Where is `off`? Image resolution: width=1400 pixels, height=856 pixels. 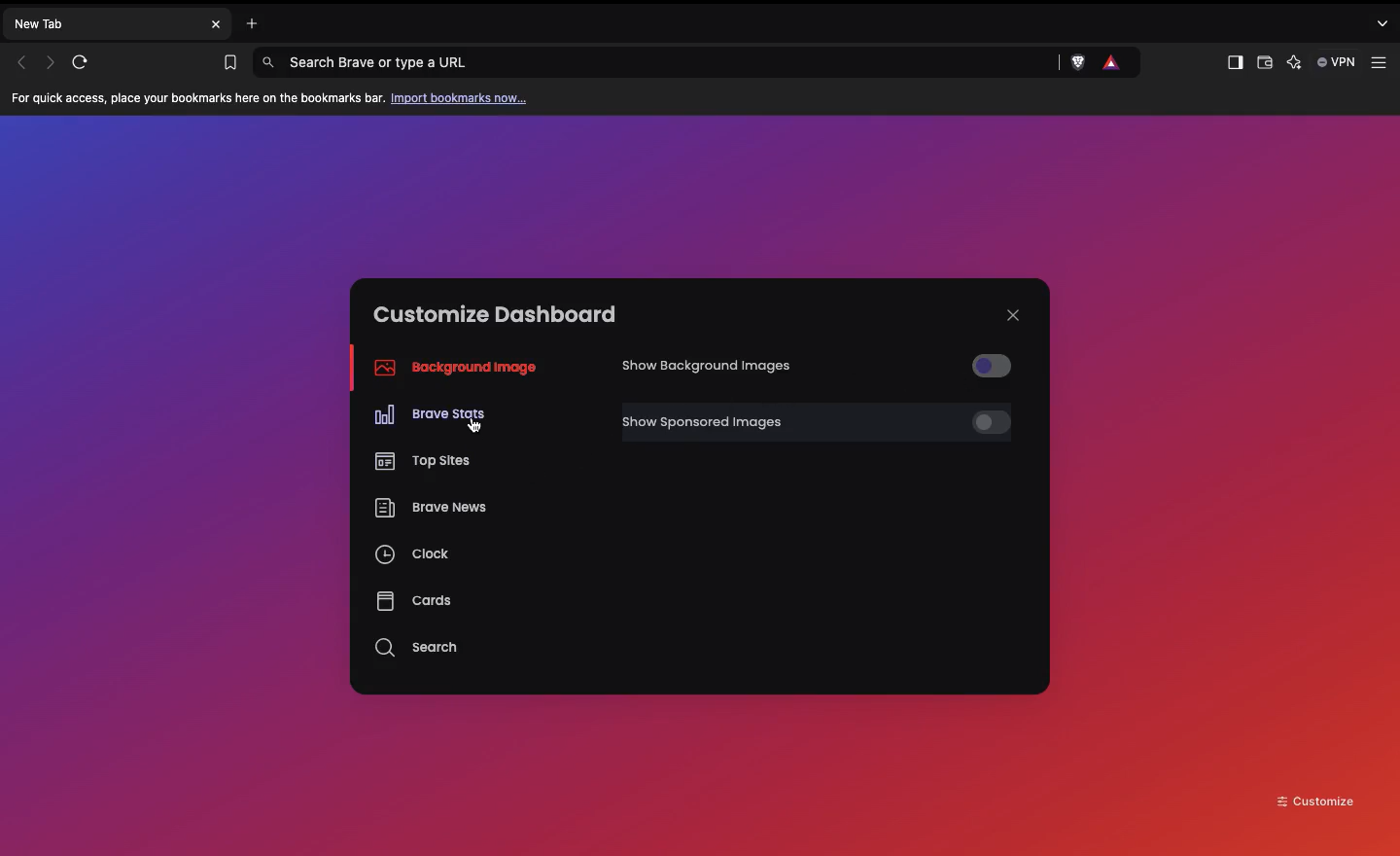
off is located at coordinates (983, 423).